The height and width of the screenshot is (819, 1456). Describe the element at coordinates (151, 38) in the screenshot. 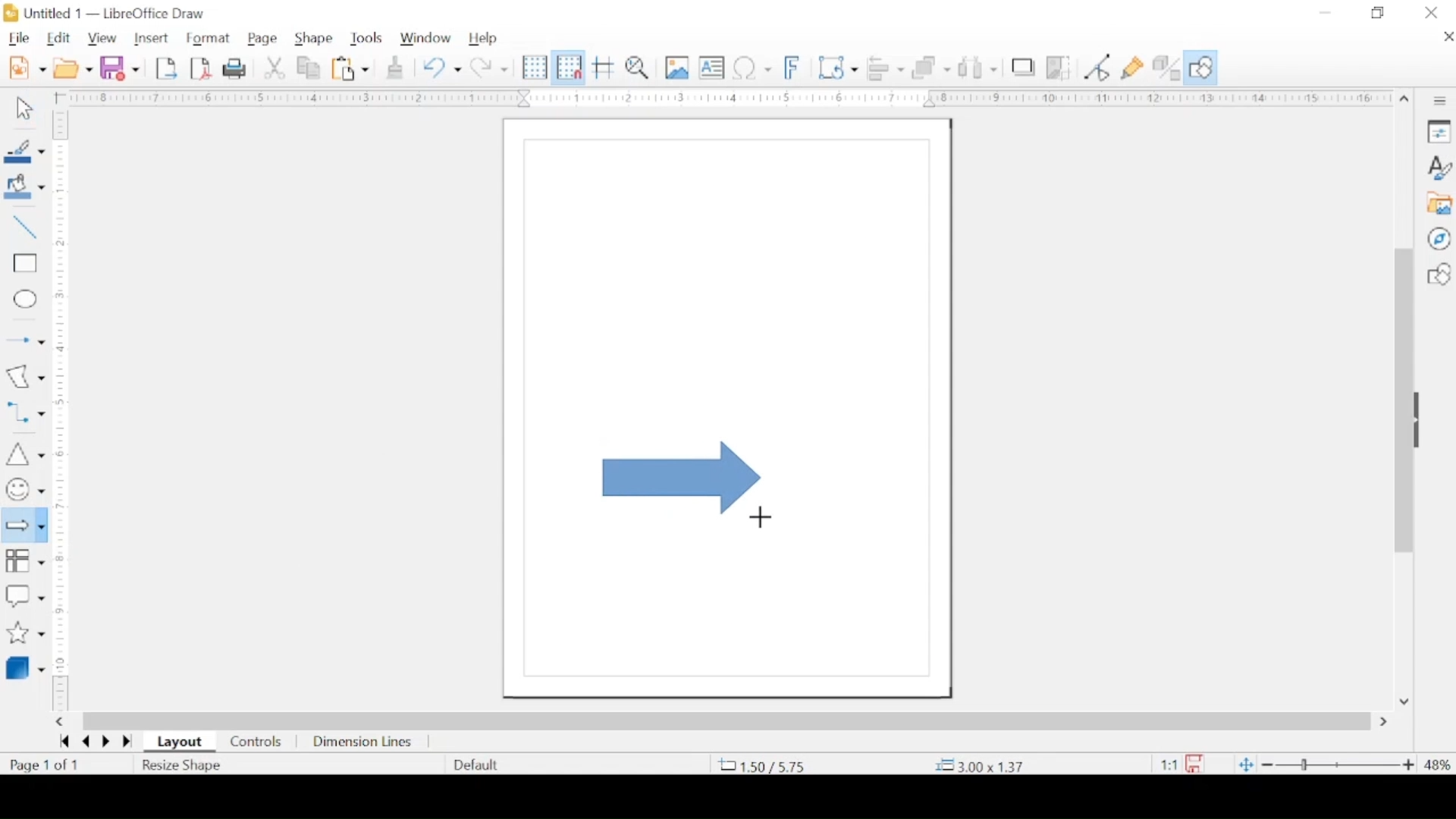

I see `insert` at that location.